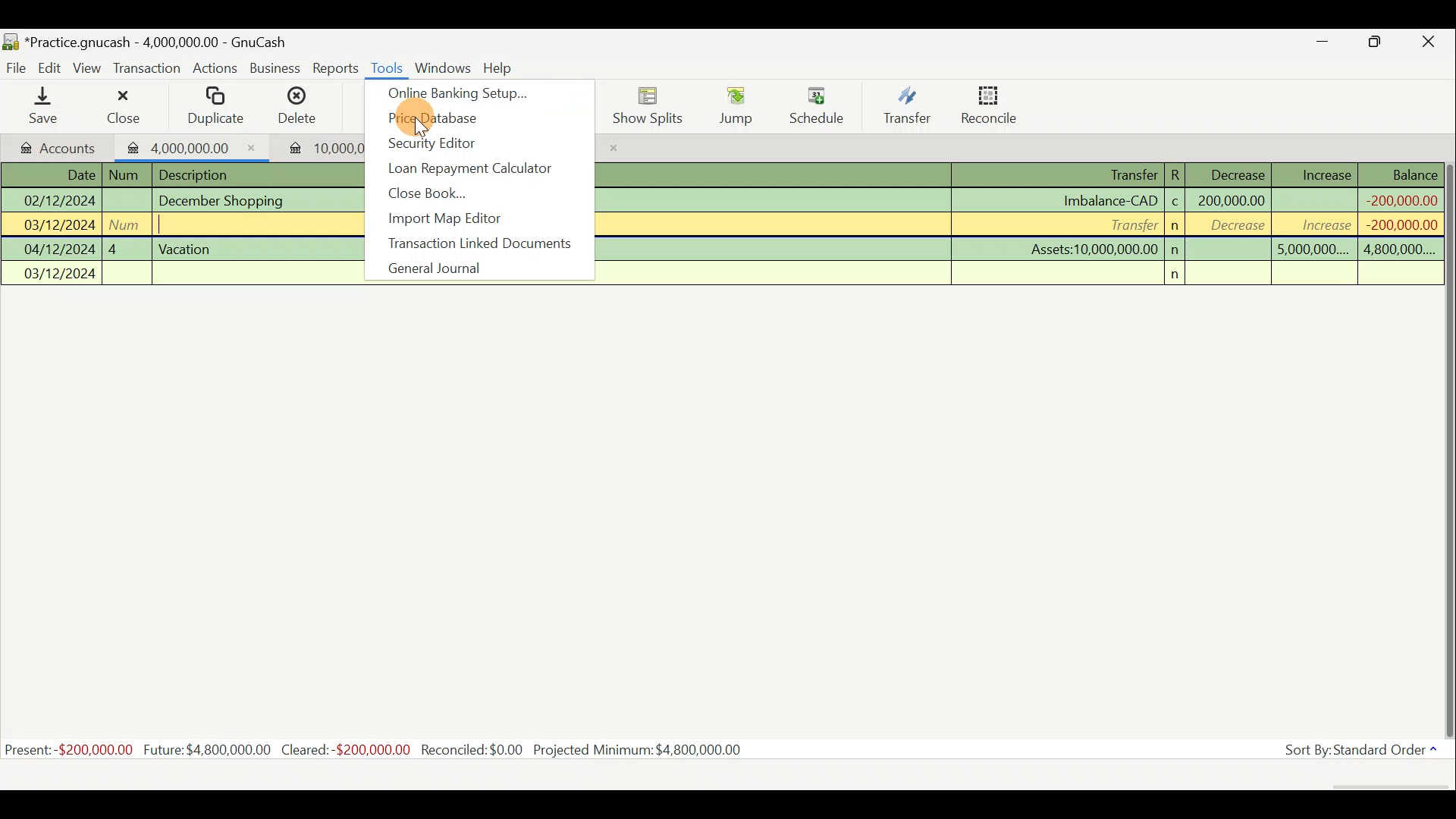 The height and width of the screenshot is (819, 1456). What do you see at coordinates (388, 67) in the screenshot?
I see `Tools` at bounding box center [388, 67].